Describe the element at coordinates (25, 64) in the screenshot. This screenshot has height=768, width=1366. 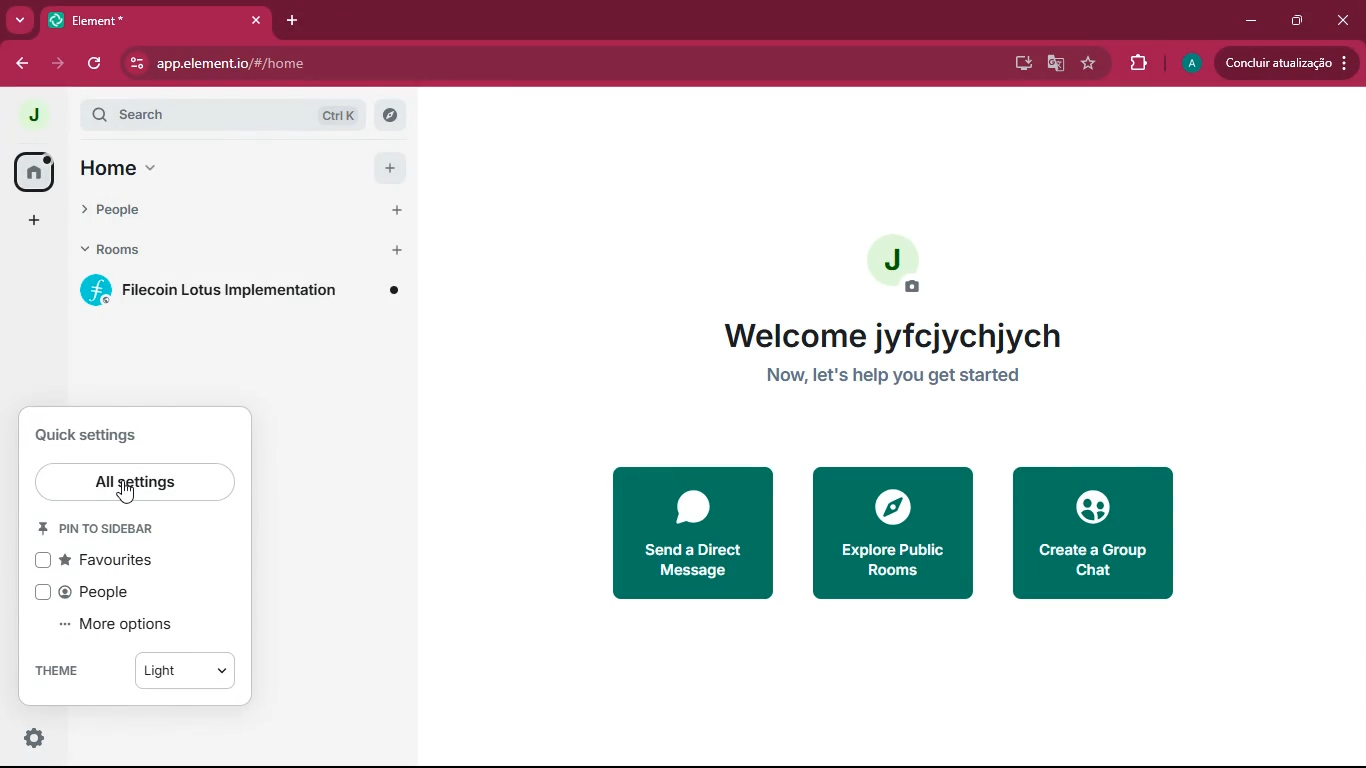
I see `back` at that location.